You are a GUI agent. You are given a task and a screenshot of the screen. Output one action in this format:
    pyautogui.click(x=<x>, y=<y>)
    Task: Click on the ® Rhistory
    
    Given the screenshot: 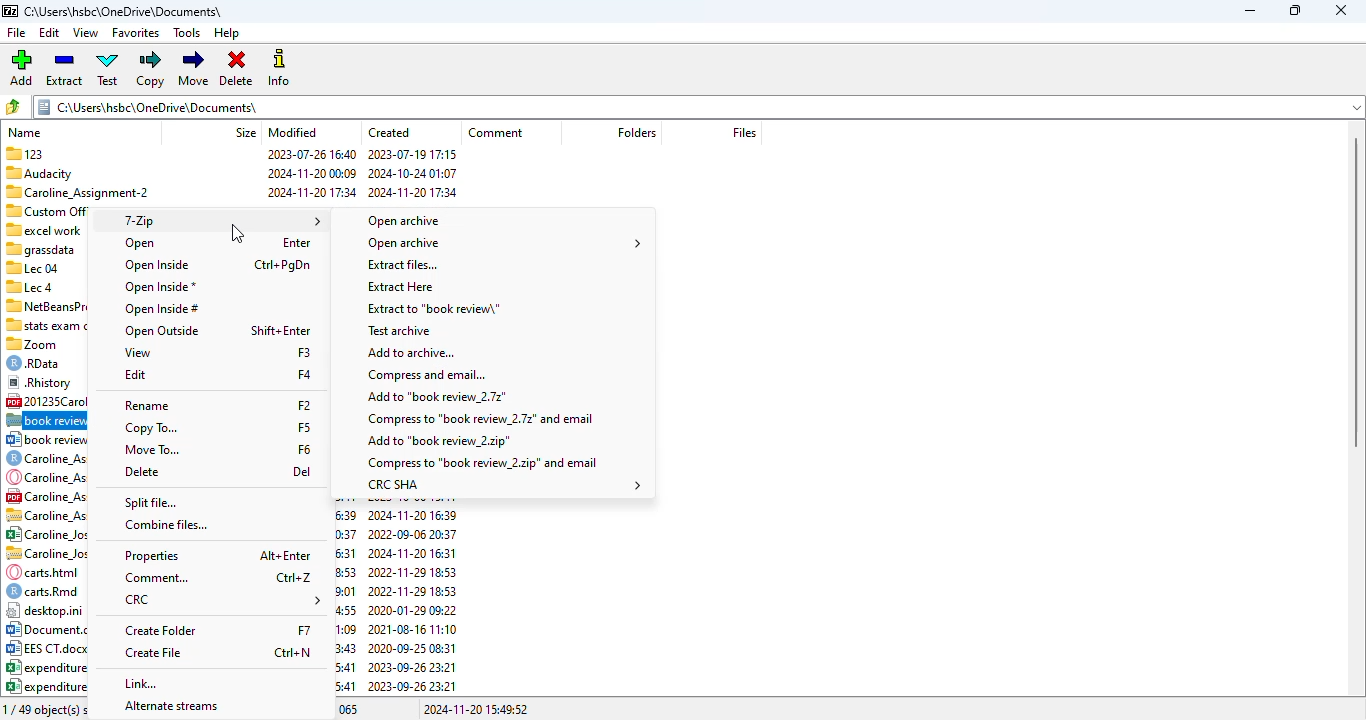 What is the action you would take?
    pyautogui.click(x=40, y=381)
    